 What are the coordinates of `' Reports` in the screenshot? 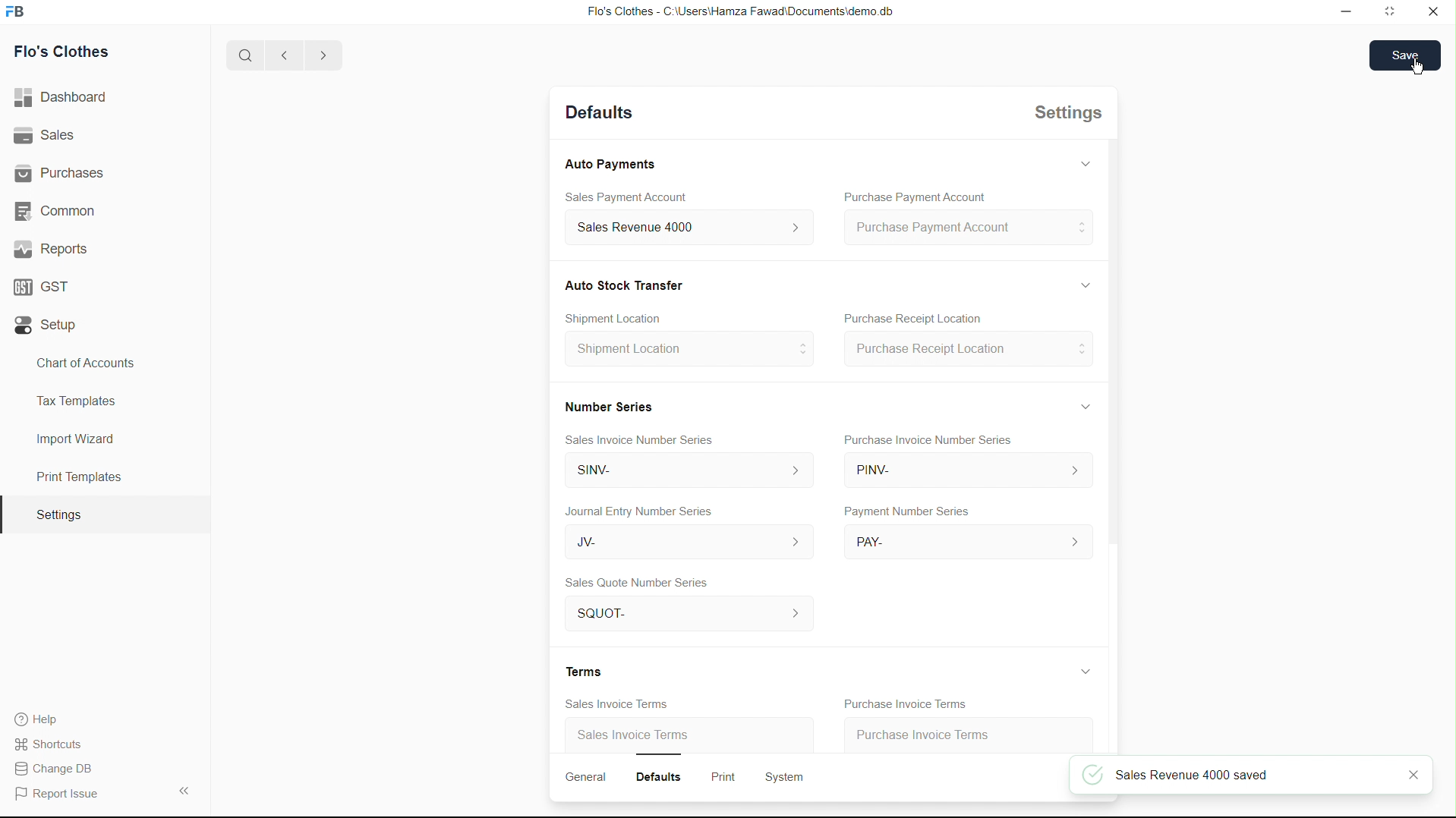 It's located at (54, 248).